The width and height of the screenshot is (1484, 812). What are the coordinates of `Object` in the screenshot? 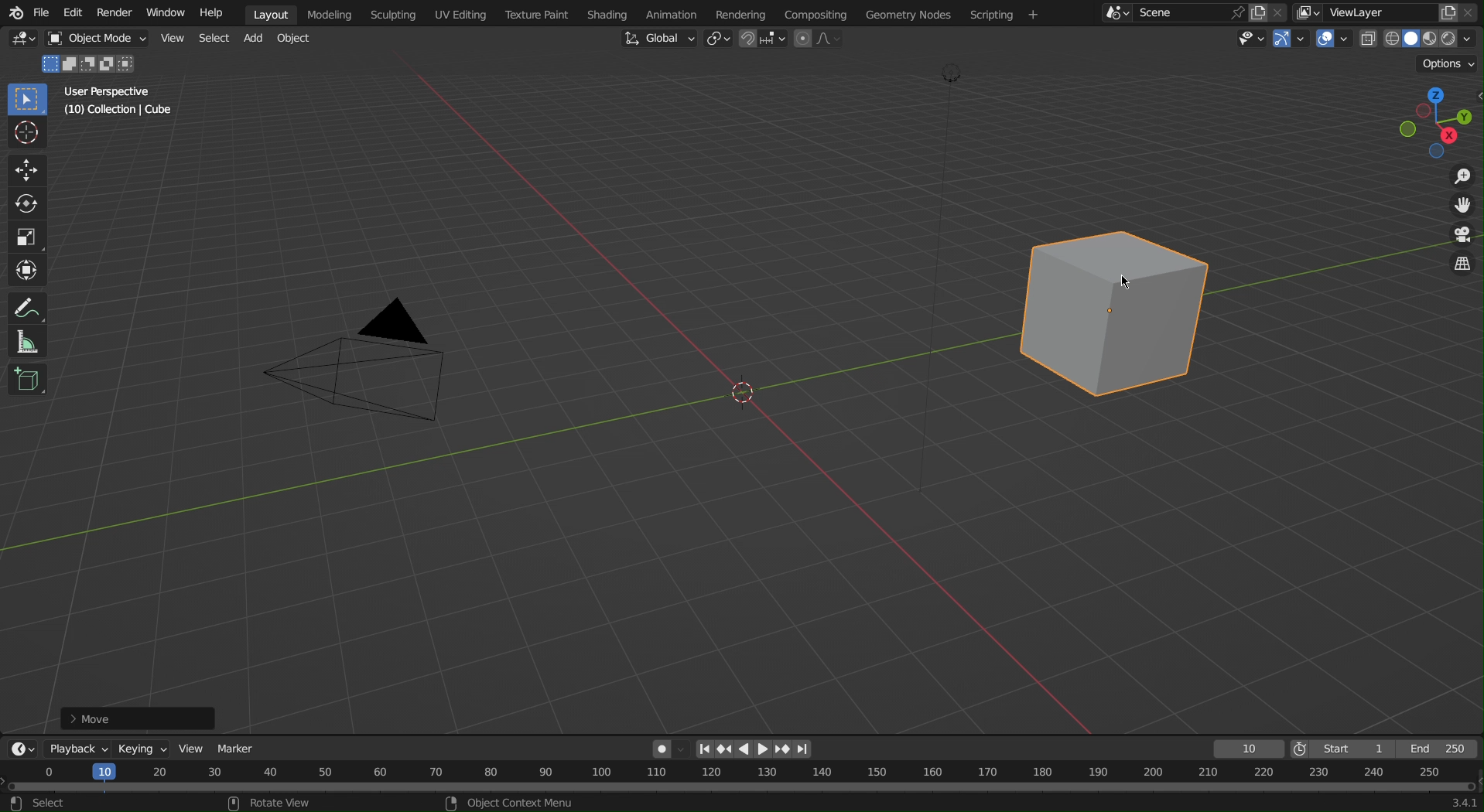 It's located at (296, 39).